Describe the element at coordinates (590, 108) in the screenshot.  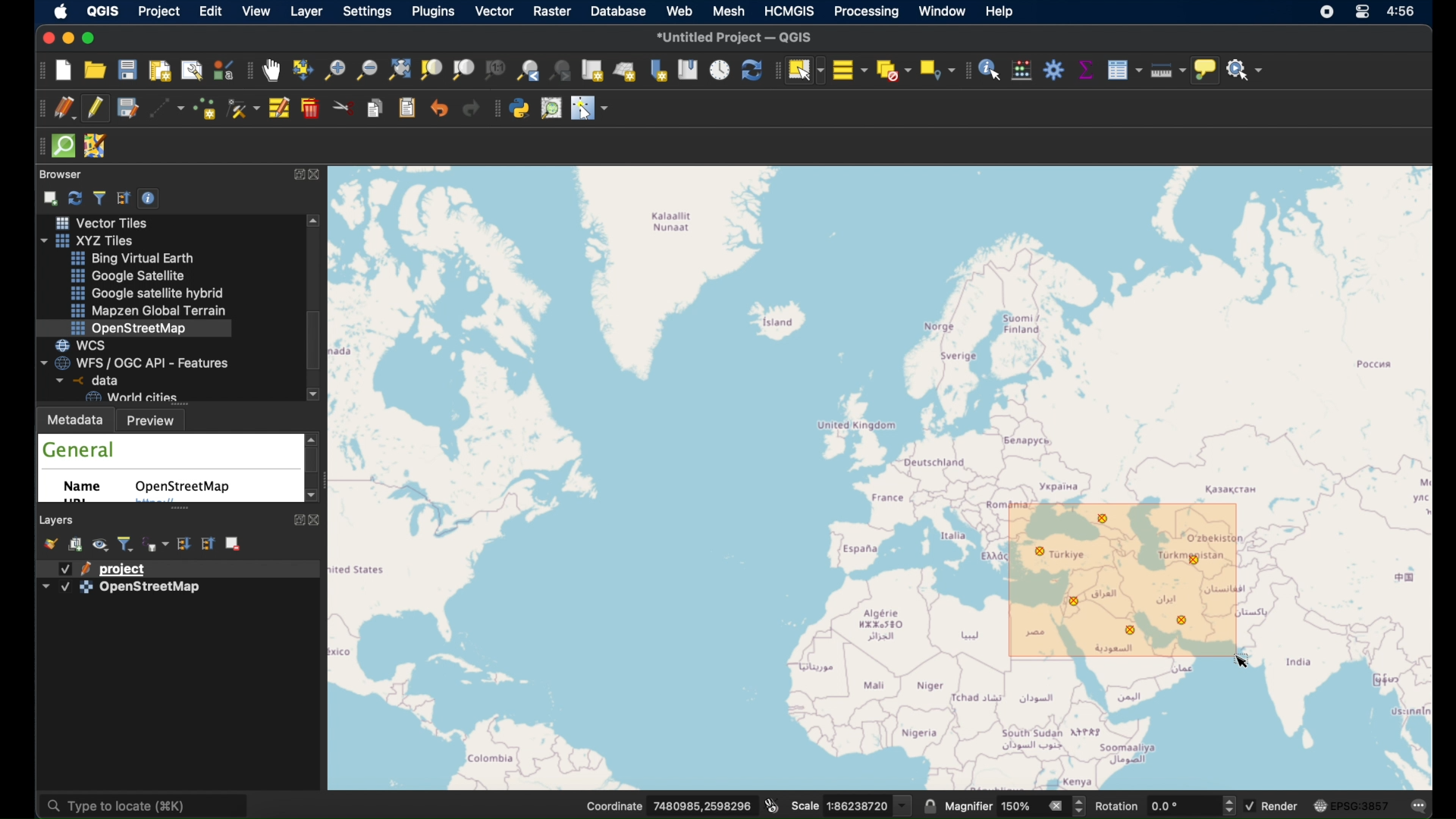
I see `switches the mouse cursor to a configurable pointer` at that location.